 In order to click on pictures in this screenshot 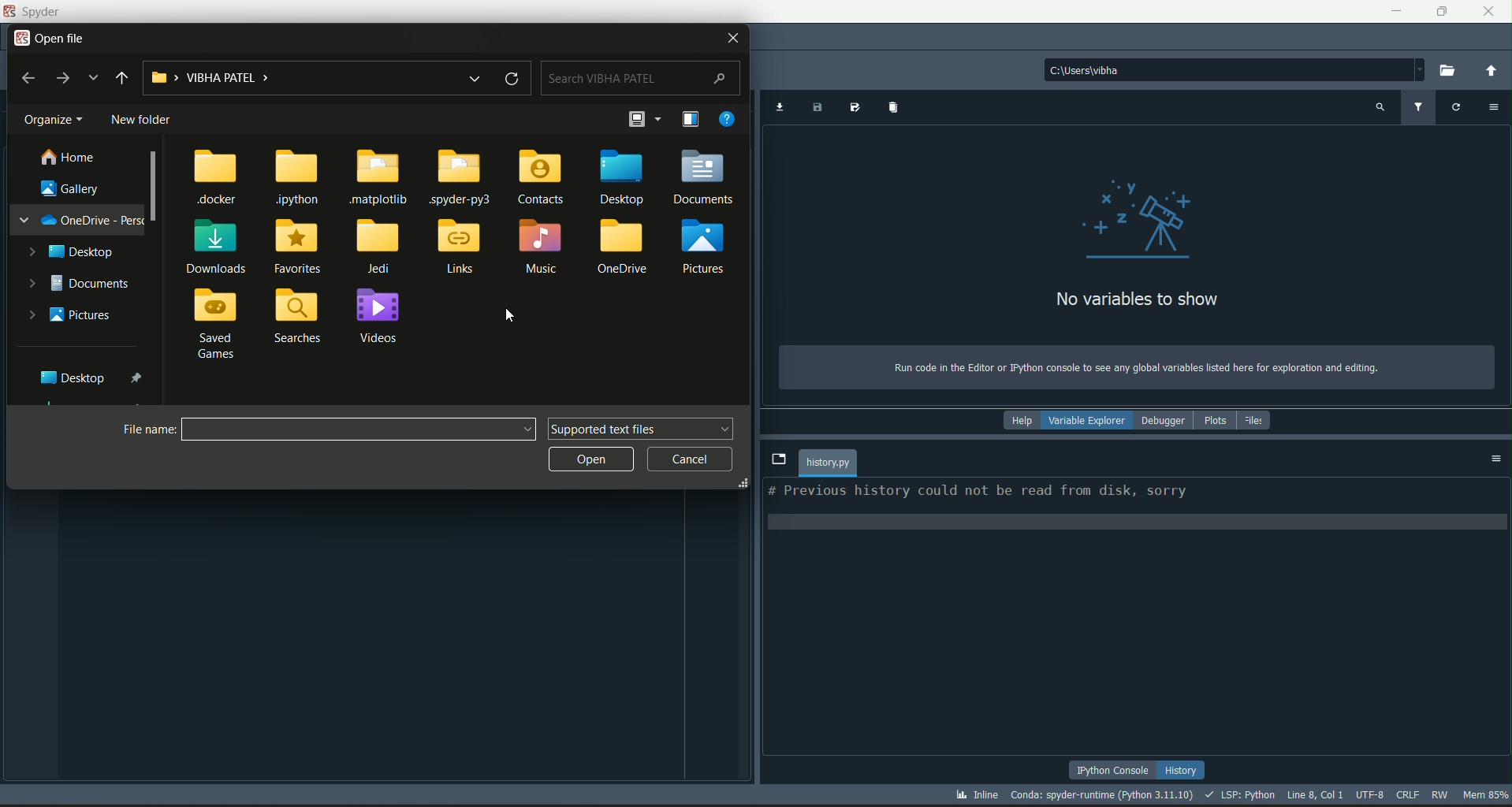, I will do `click(709, 247)`.